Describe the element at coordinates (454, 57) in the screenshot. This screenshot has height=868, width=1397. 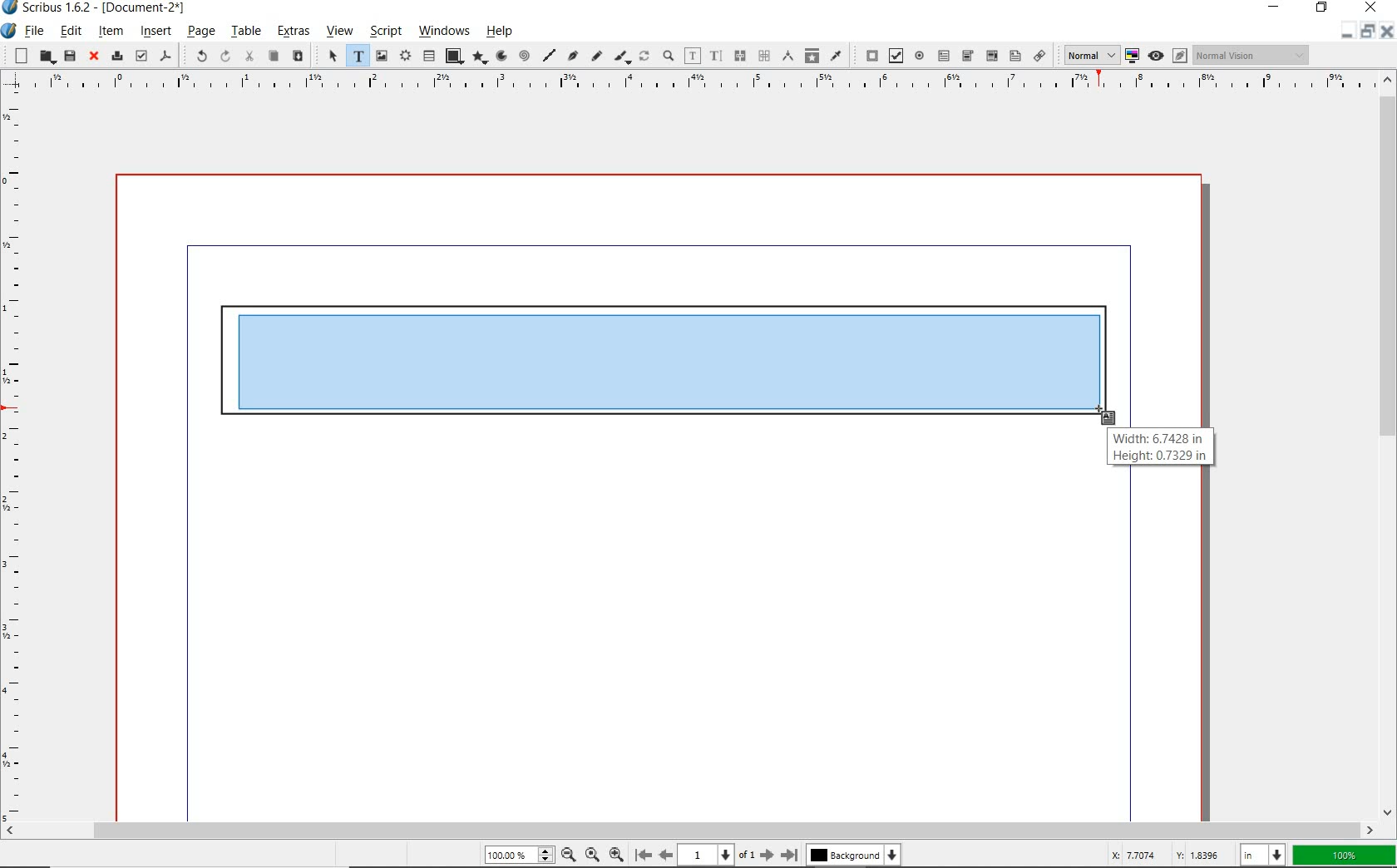
I see `shape` at that location.